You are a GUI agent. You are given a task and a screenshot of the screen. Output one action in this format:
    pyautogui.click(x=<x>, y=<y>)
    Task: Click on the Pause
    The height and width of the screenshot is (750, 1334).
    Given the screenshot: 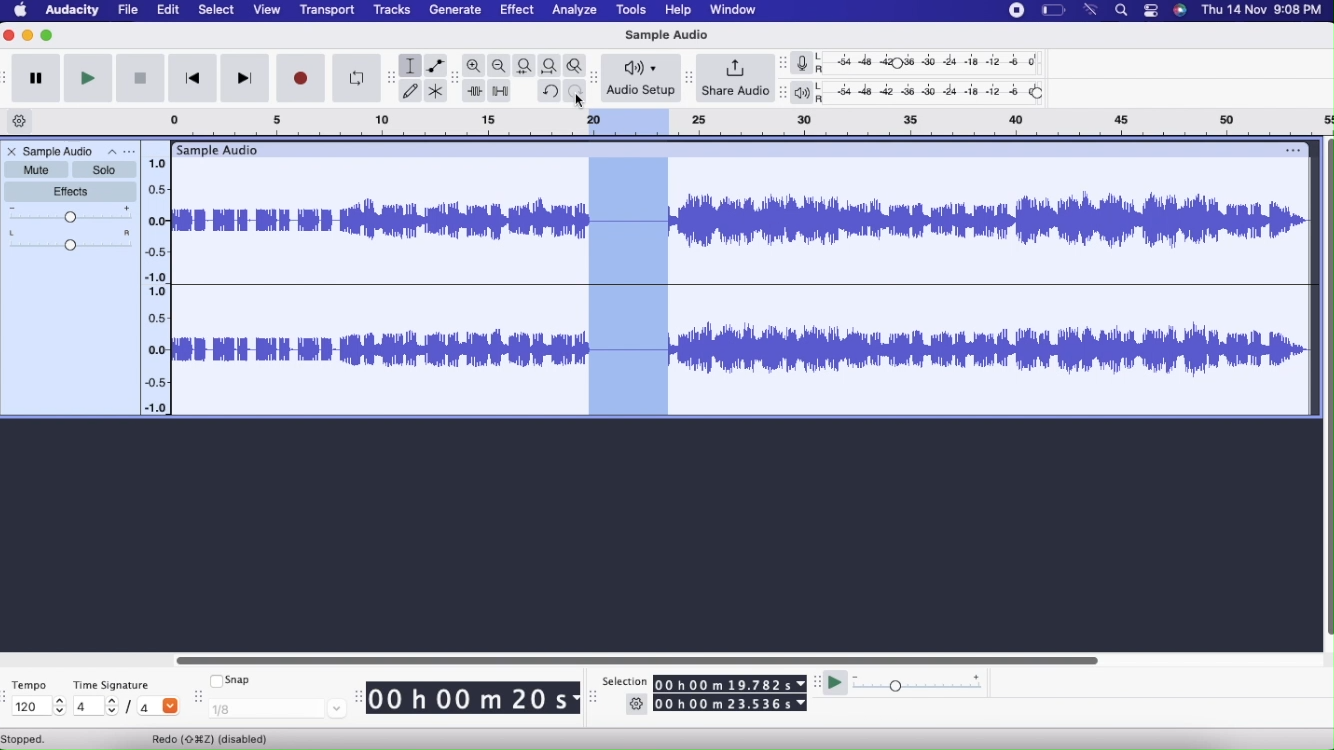 What is the action you would take?
    pyautogui.click(x=35, y=77)
    